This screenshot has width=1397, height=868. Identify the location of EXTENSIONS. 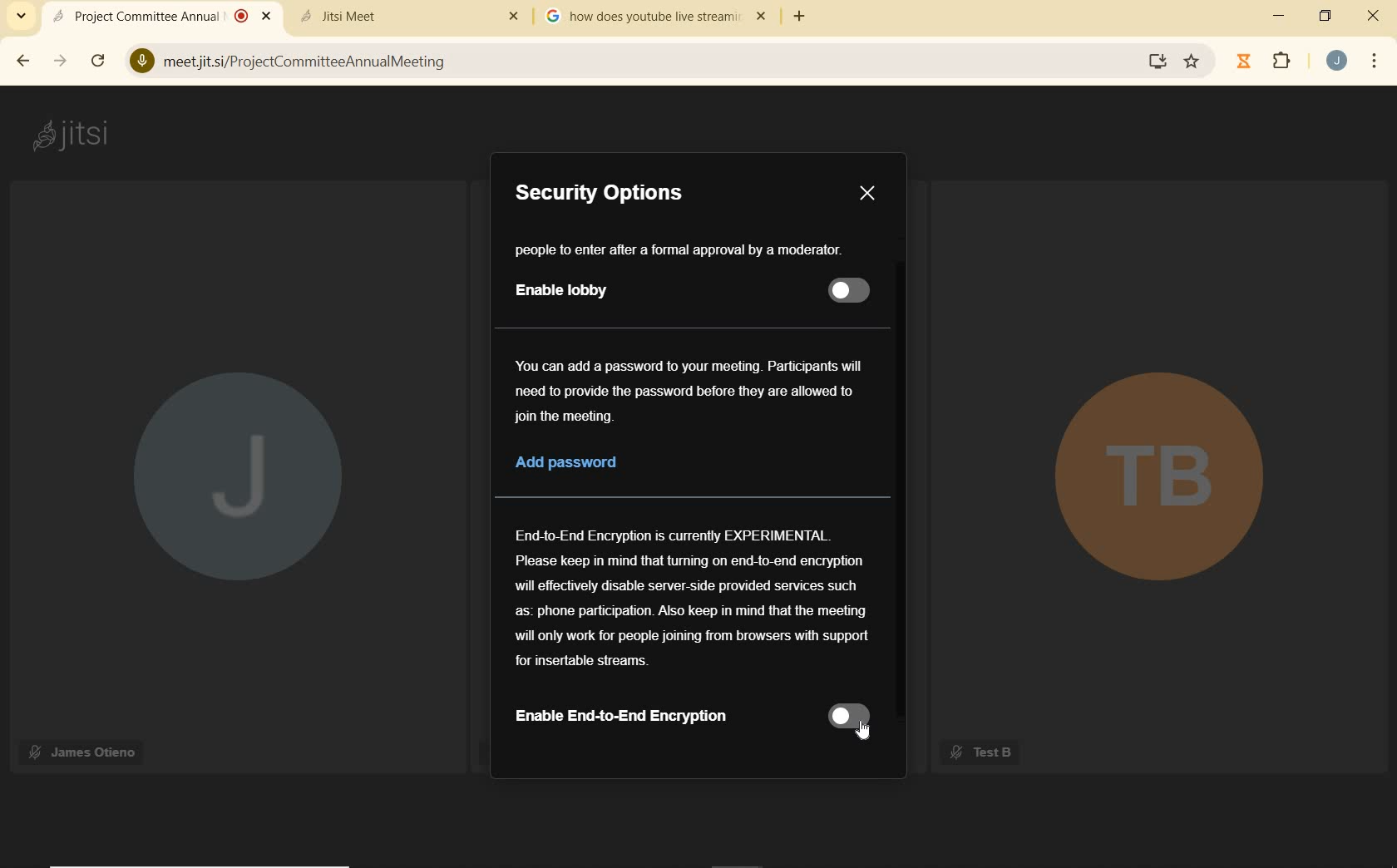
(1286, 63).